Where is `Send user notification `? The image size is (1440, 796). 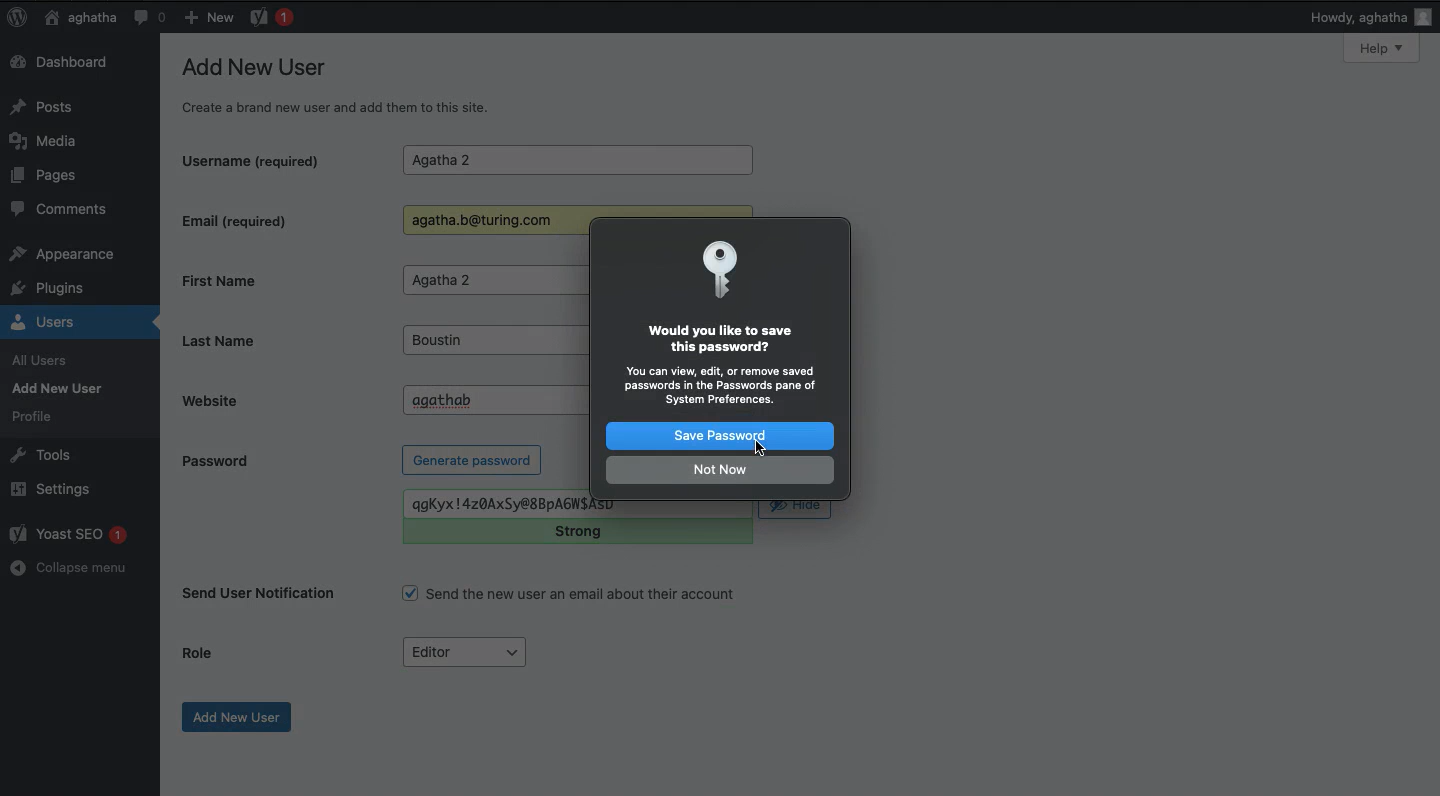 Send user notification  is located at coordinates (260, 597).